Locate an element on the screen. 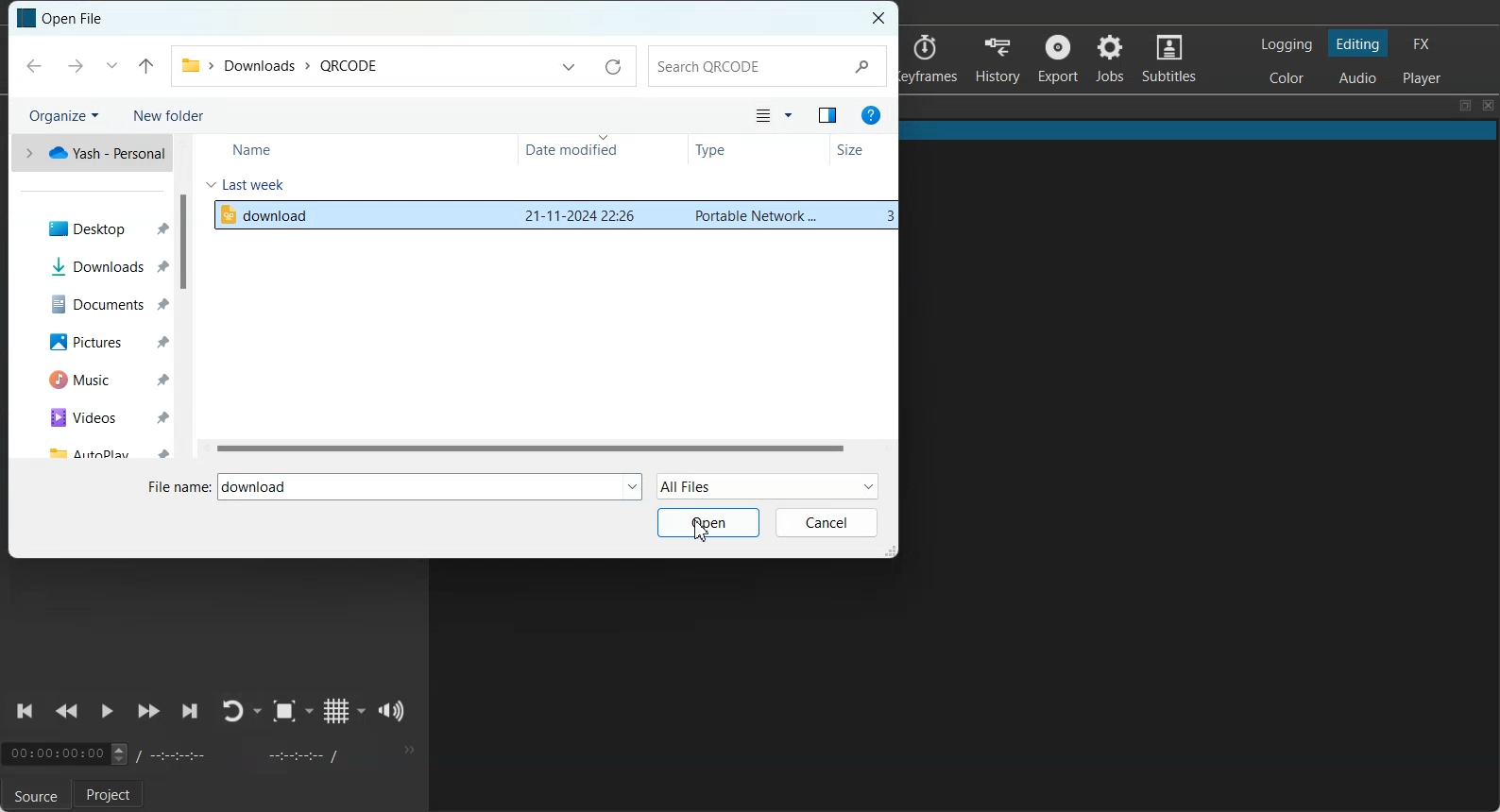 The width and height of the screenshot is (1500, 812). Toggle Play or Pause is located at coordinates (105, 713).